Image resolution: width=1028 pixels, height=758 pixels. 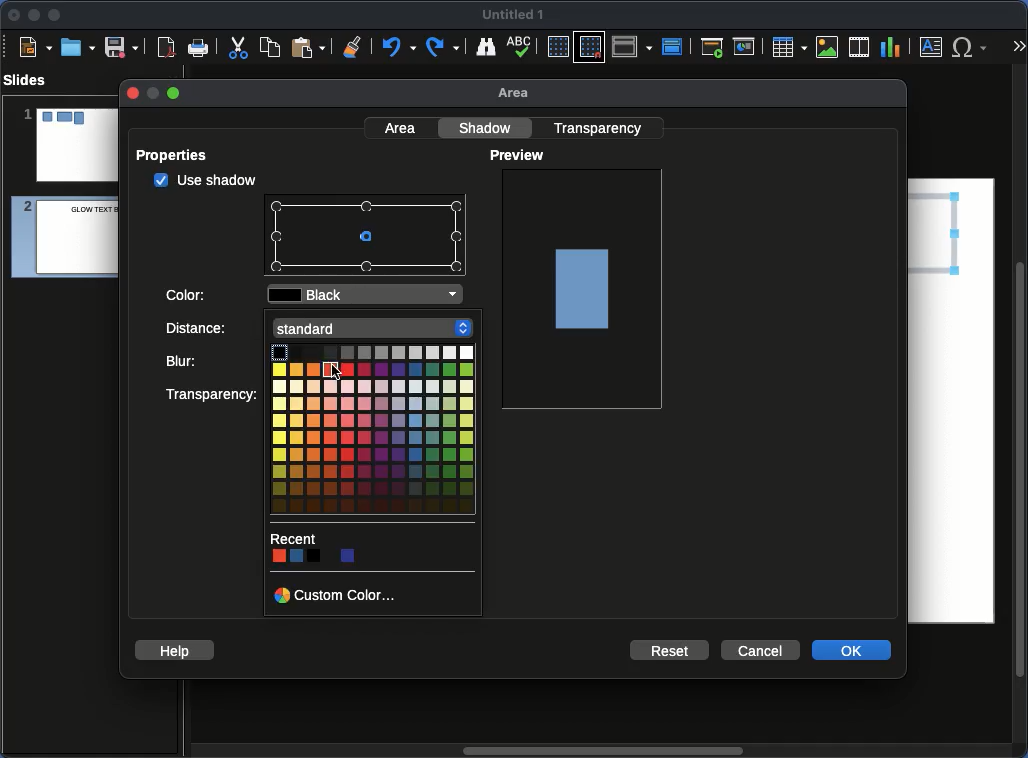 What do you see at coordinates (521, 48) in the screenshot?
I see `Spell check` at bounding box center [521, 48].